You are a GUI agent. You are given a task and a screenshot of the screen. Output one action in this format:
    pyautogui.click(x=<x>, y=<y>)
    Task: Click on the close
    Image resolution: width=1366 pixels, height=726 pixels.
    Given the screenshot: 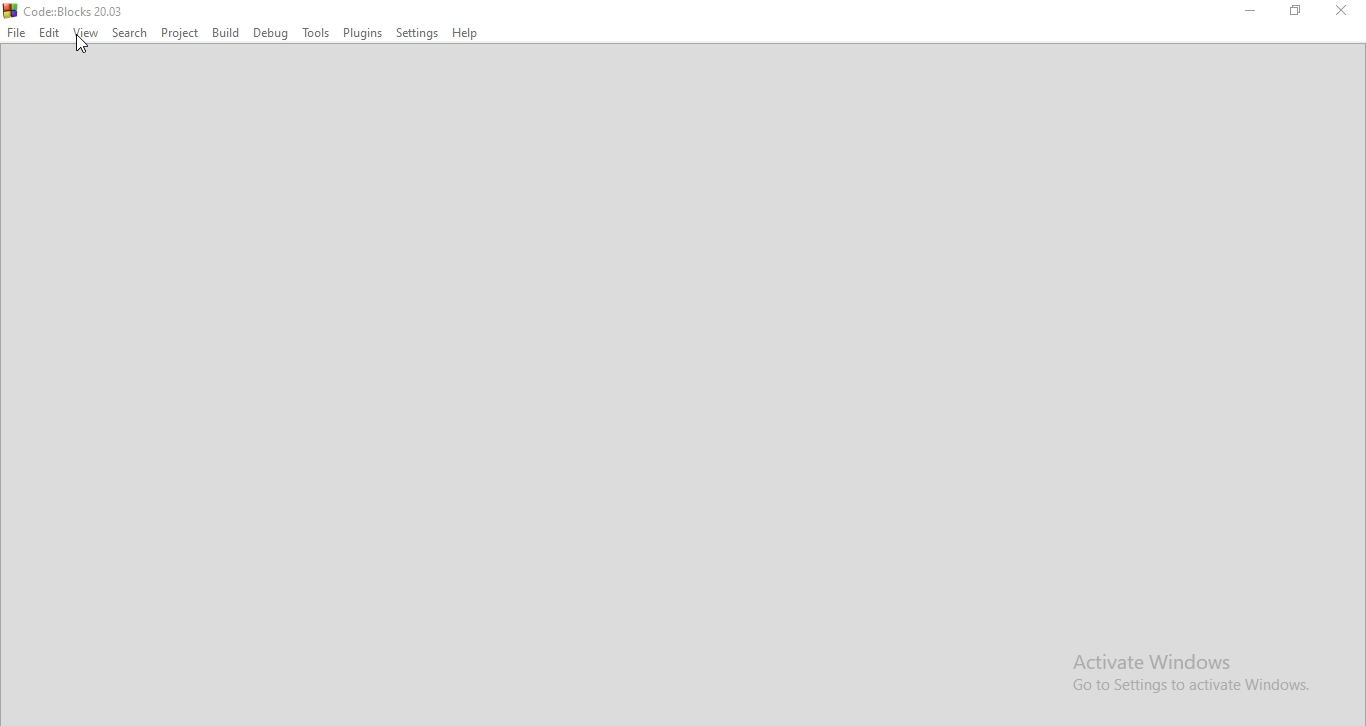 What is the action you would take?
    pyautogui.click(x=1341, y=12)
    